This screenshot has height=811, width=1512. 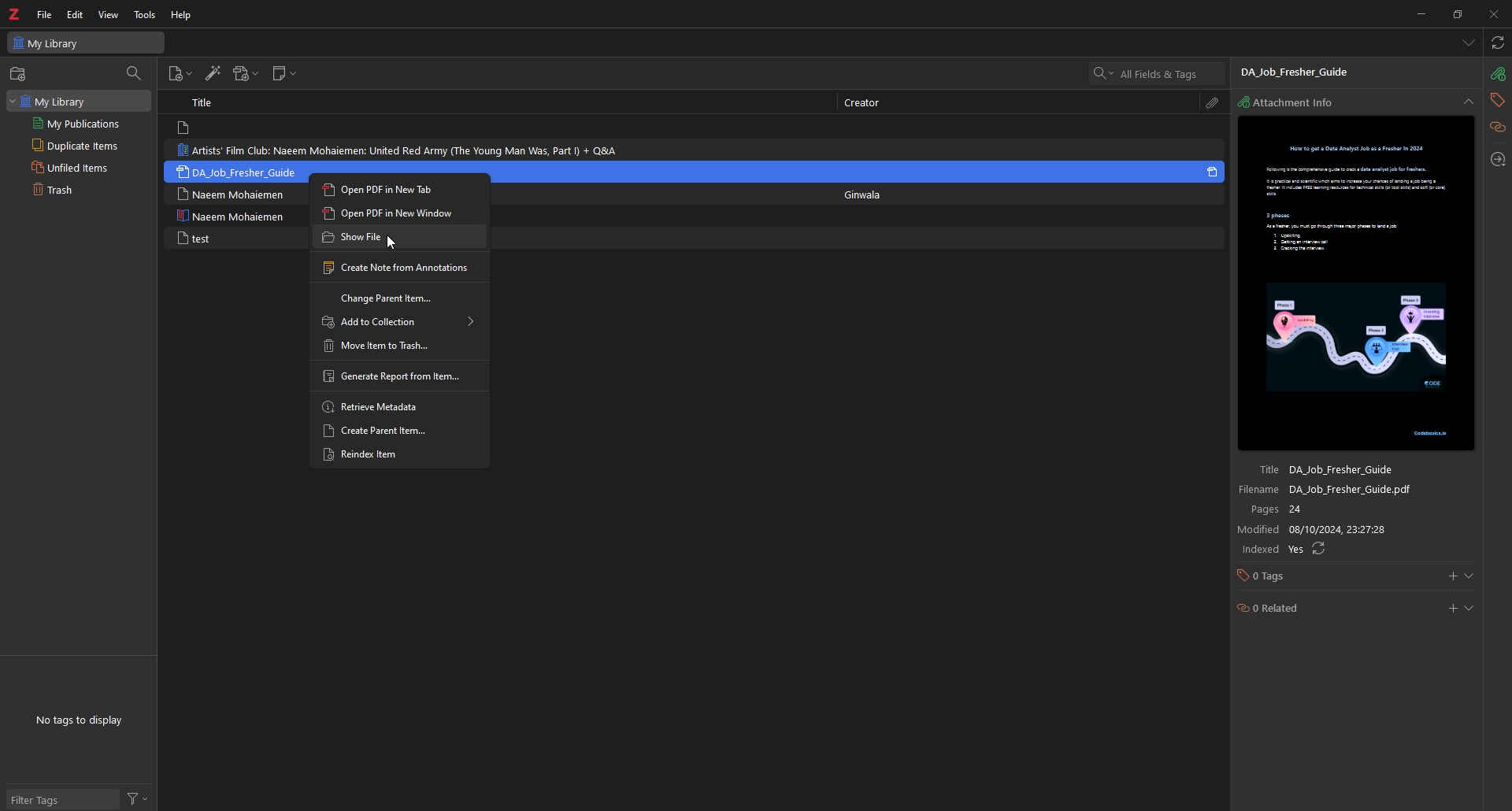 I want to click on tools, so click(x=146, y=15).